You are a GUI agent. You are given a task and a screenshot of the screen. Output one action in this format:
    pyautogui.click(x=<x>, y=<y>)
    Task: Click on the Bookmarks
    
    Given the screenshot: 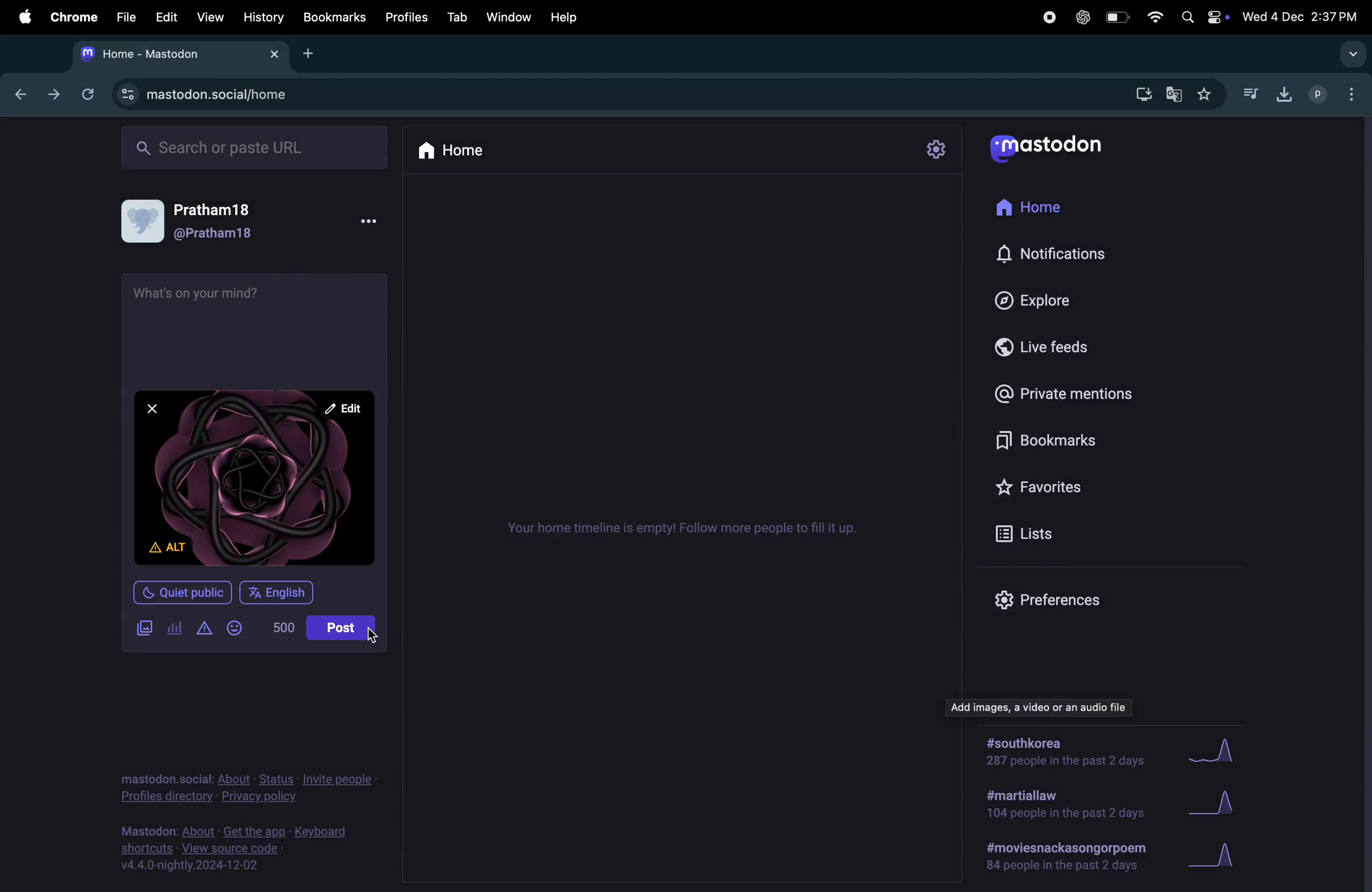 What is the action you would take?
    pyautogui.click(x=336, y=18)
    